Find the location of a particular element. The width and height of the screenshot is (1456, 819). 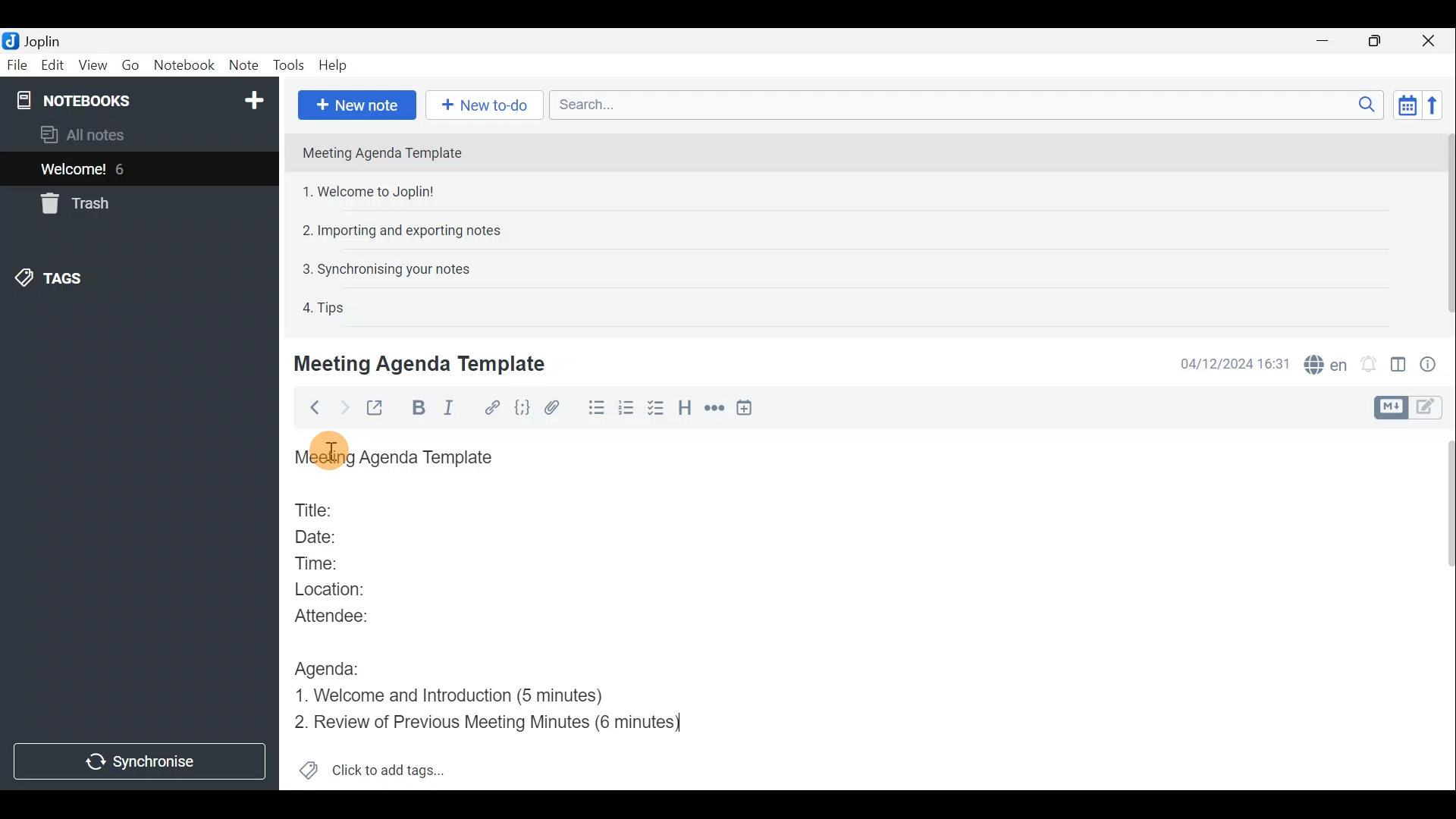

Toggle external editing is located at coordinates (379, 409).